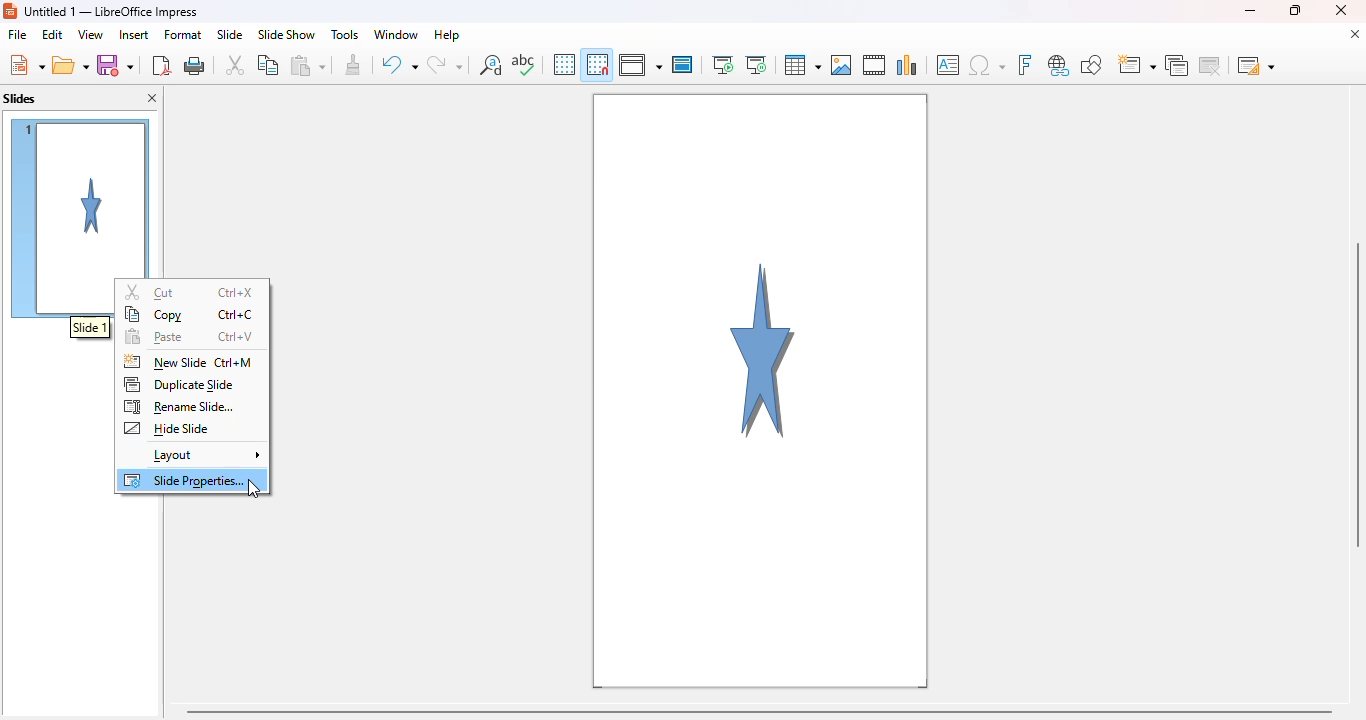 The width and height of the screenshot is (1366, 720). I want to click on rename slide, so click(178, 407).